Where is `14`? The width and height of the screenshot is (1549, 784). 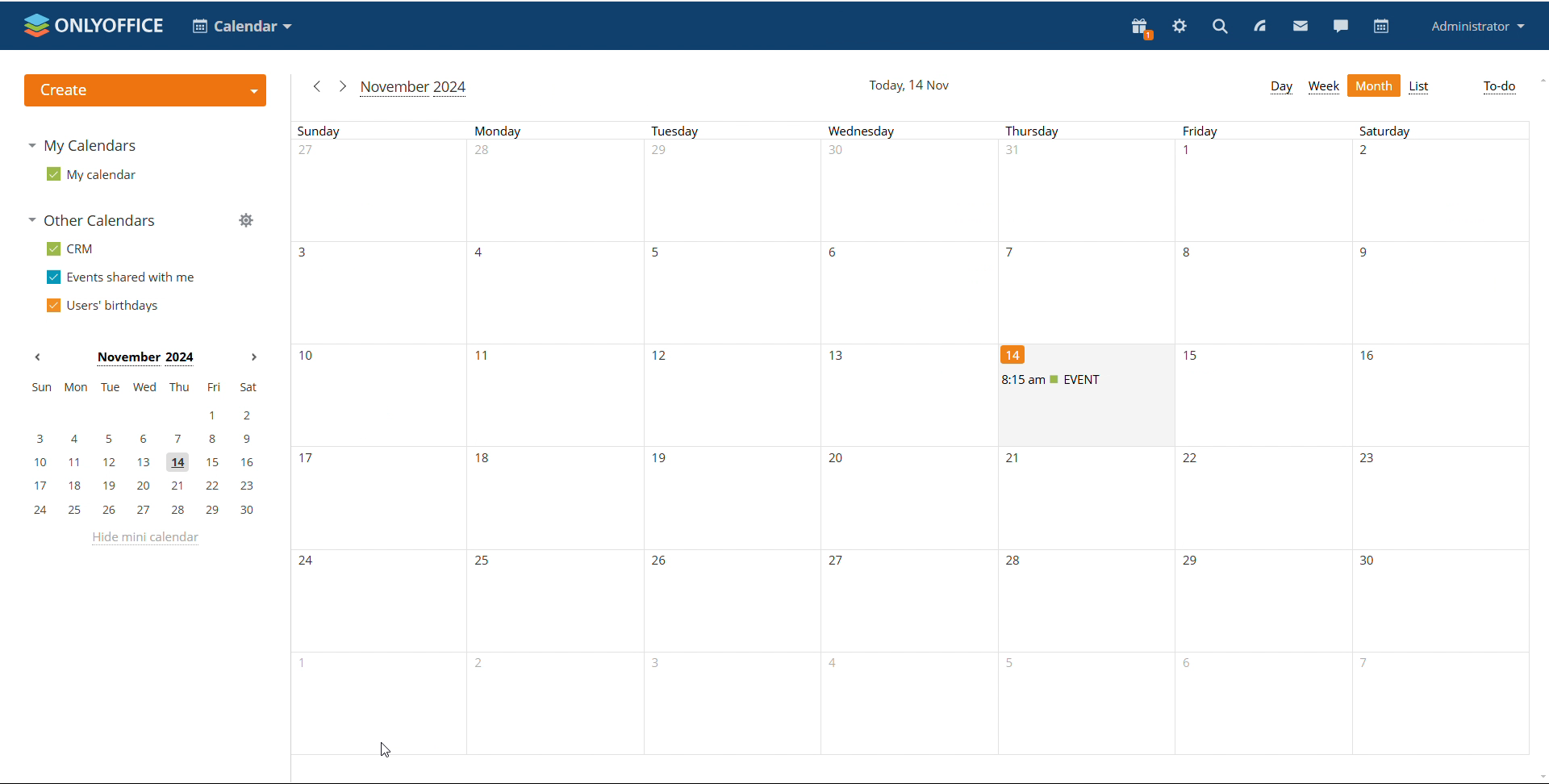
14 is located at coordinates (1013, 355).